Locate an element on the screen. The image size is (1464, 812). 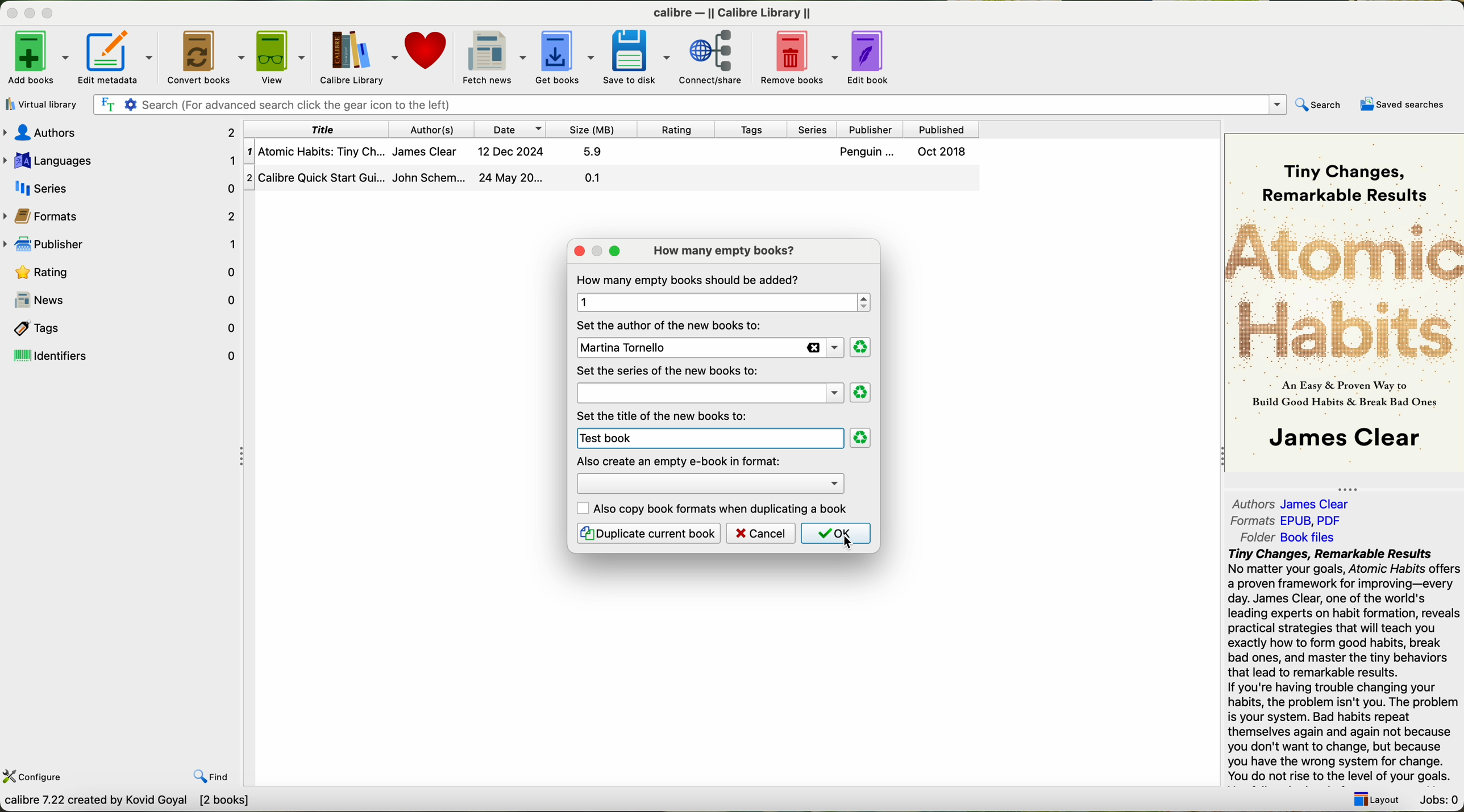
options is located at coordinates (709, 481).